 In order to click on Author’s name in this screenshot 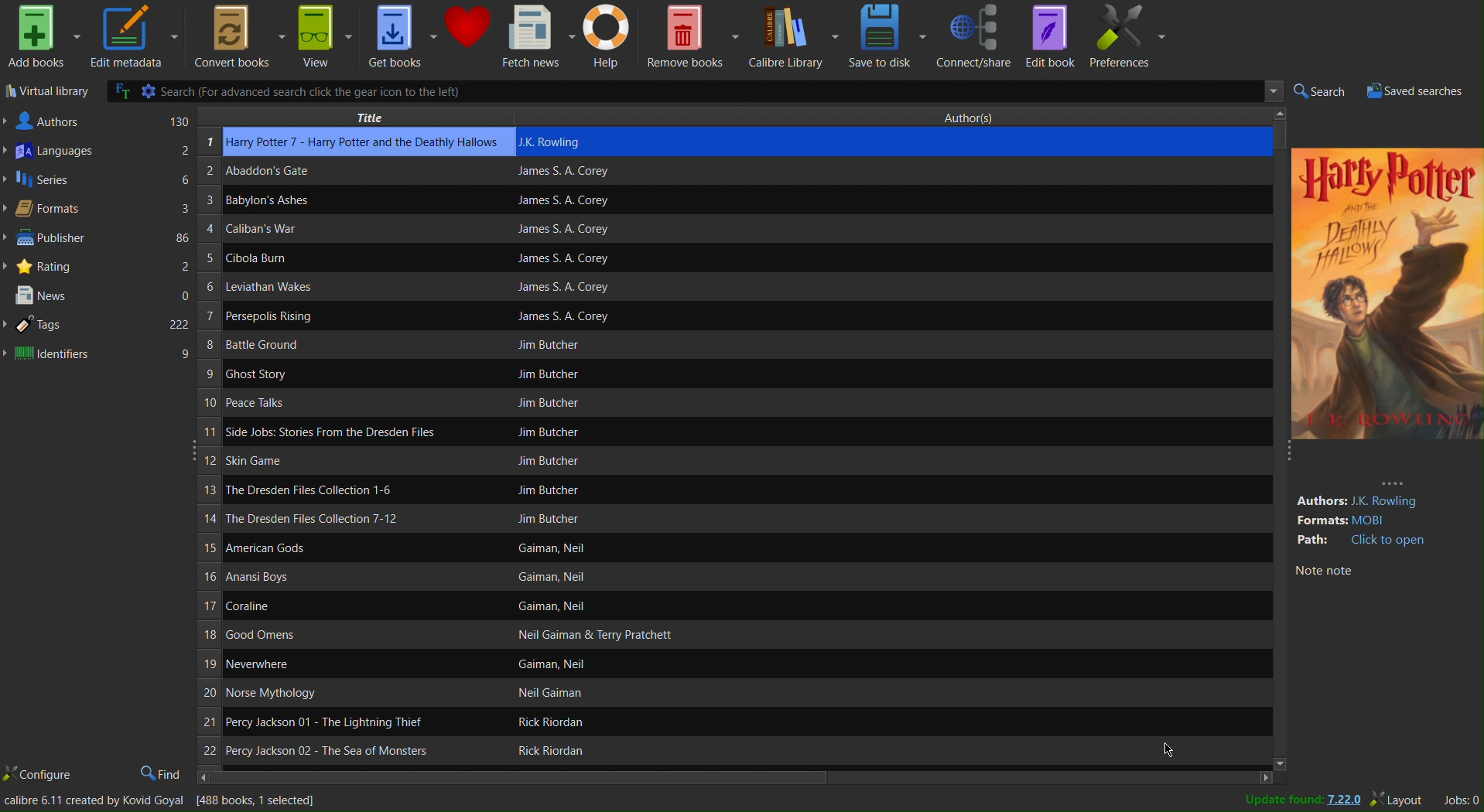, I will do `click(645, 578)`.